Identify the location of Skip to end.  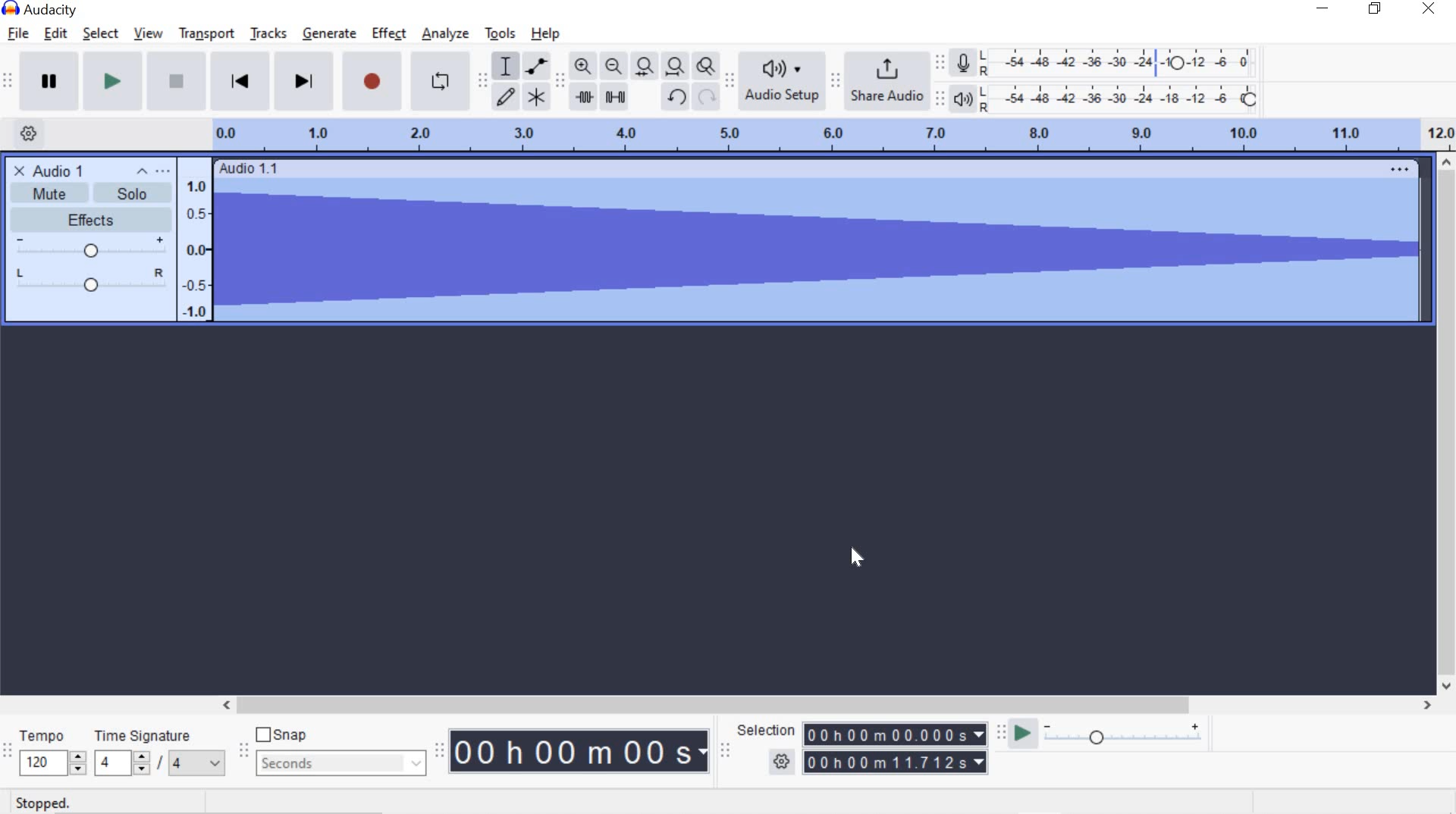
(306, 80).